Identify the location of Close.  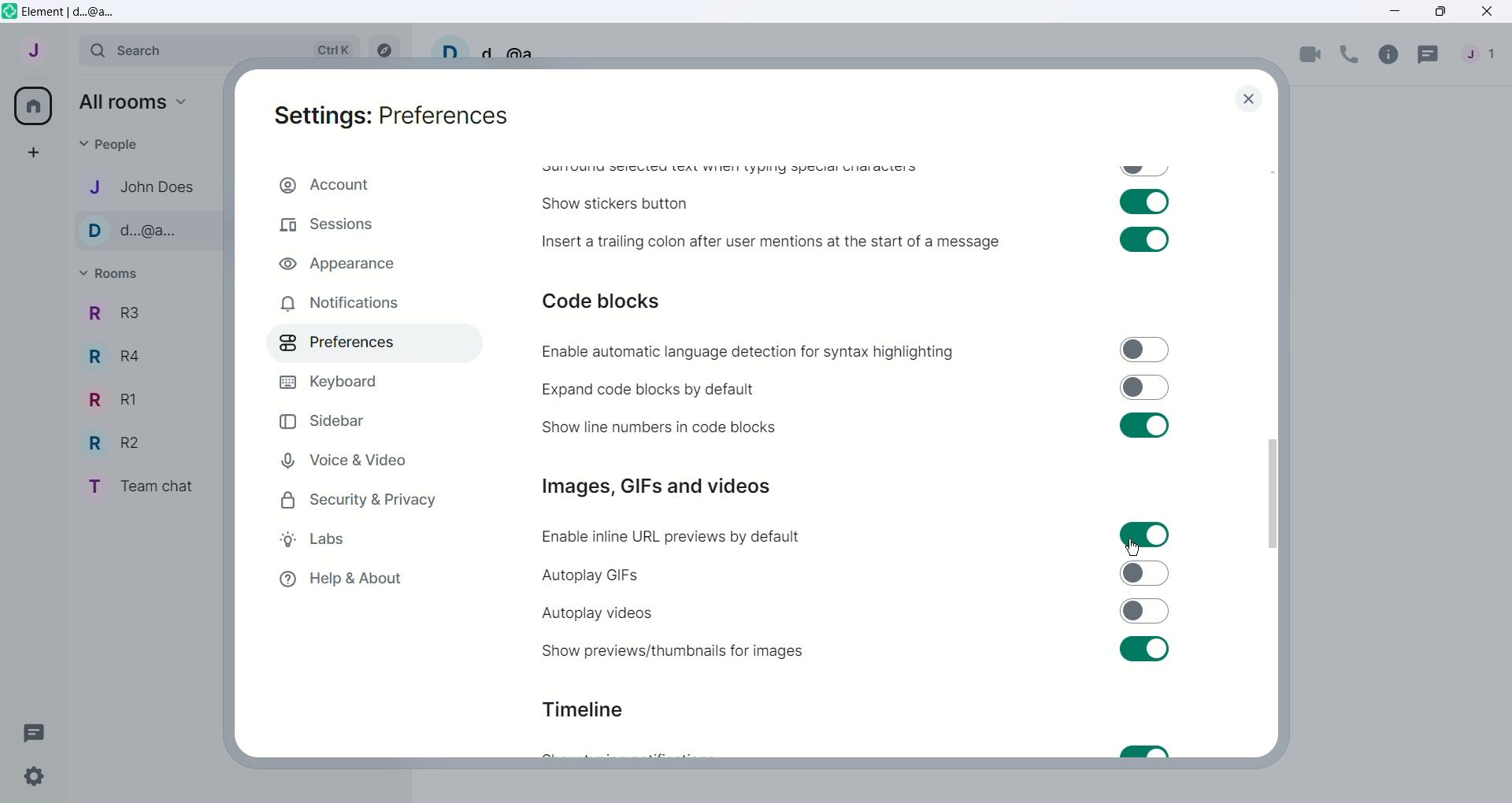
(1489, 11).